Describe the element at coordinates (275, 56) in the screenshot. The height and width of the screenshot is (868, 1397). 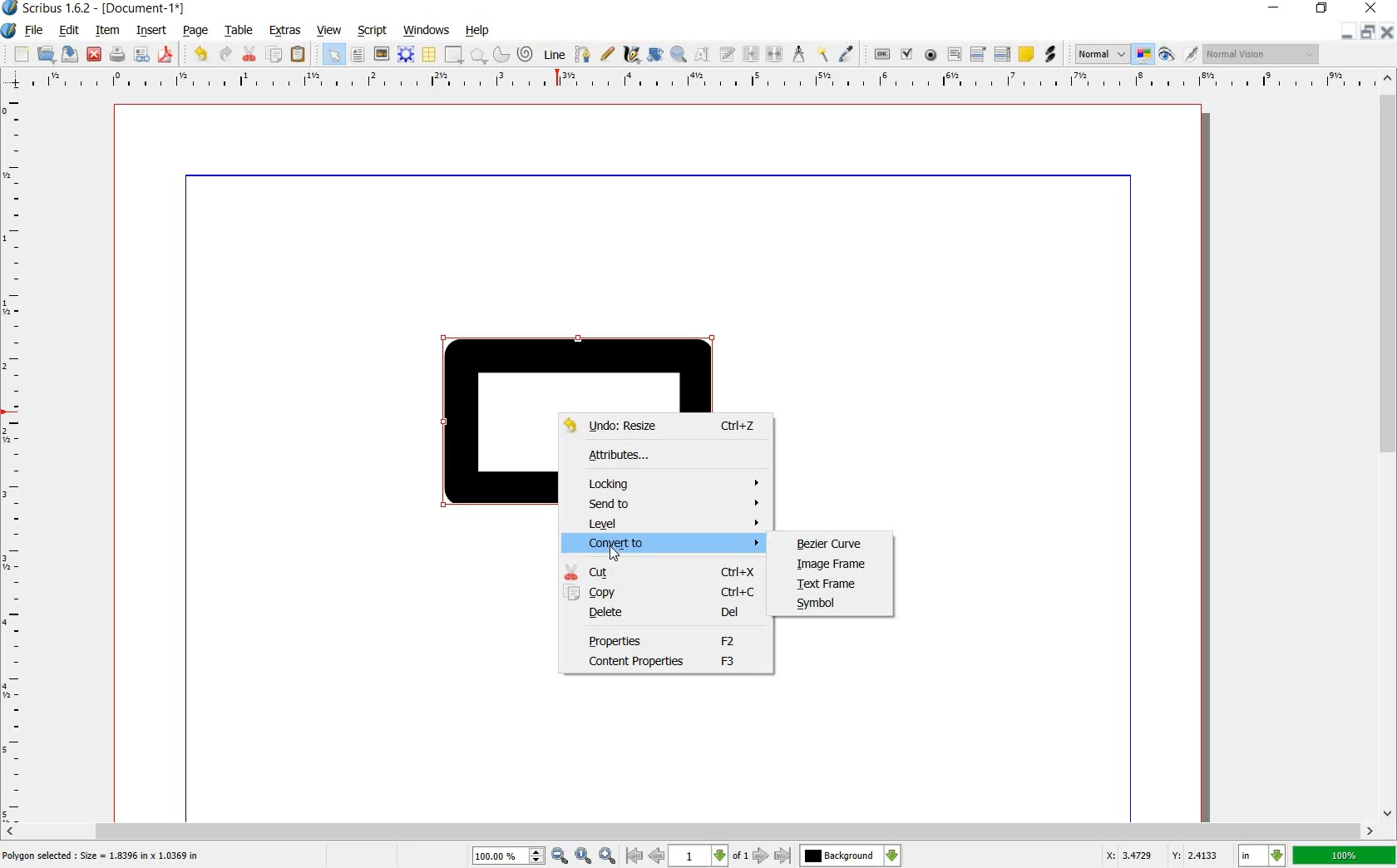
I see `copy` at that location.